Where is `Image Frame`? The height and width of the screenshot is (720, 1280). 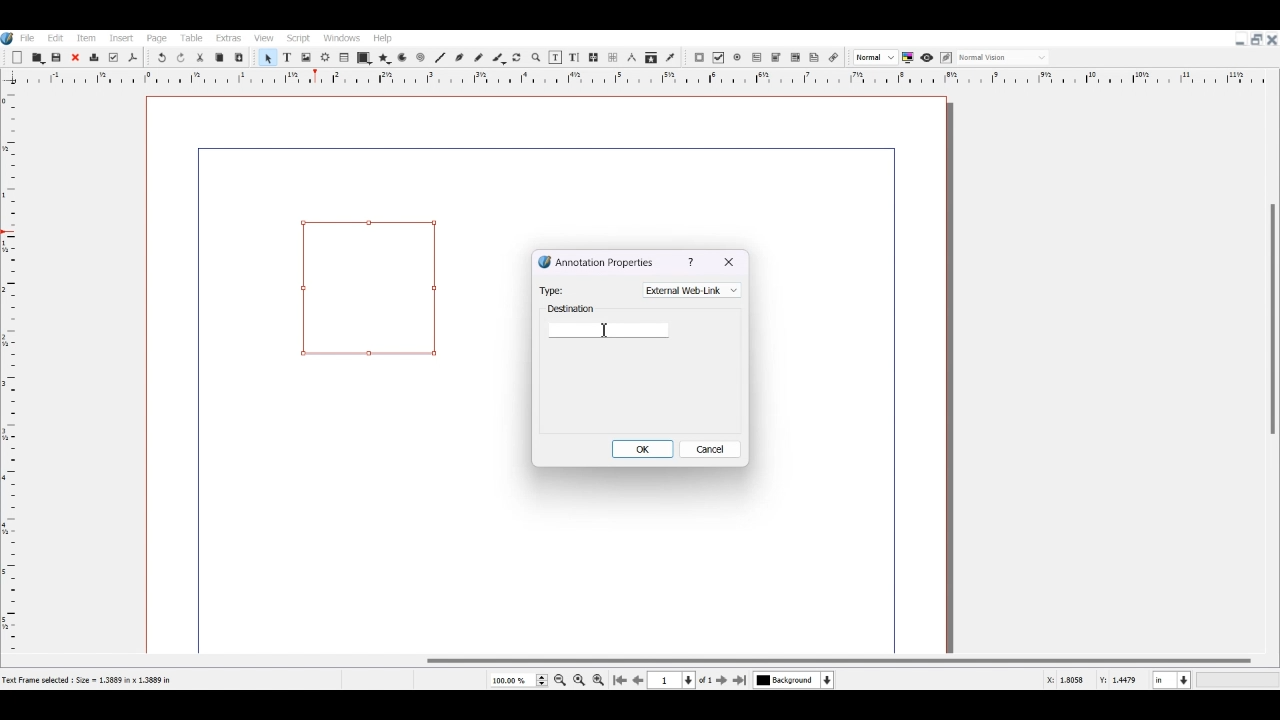 Image Frame is located at coordinates (306, 57).